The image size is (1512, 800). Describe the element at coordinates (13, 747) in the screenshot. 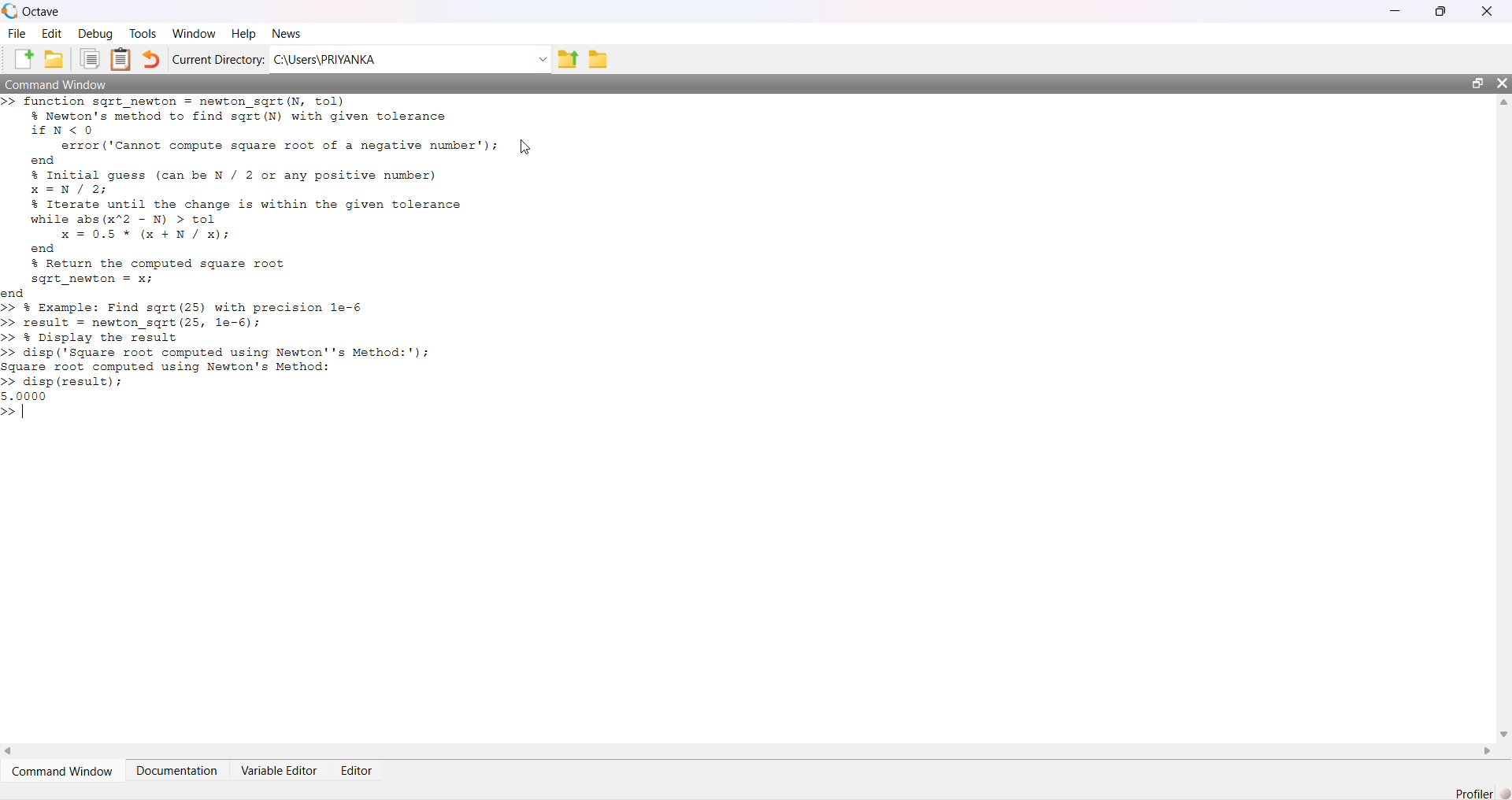

I see `Left` at that location.